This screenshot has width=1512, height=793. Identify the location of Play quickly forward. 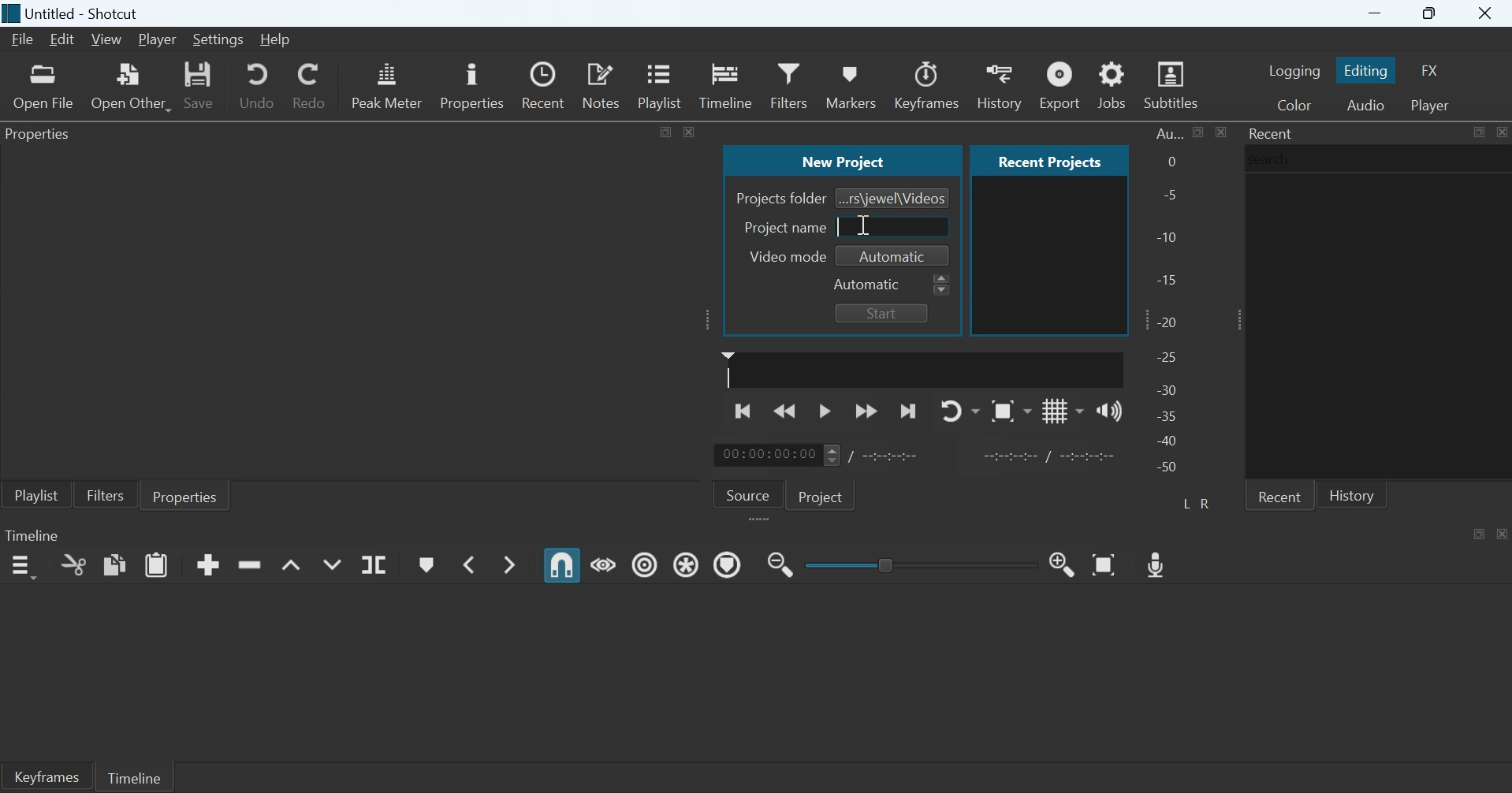
(866, 411).